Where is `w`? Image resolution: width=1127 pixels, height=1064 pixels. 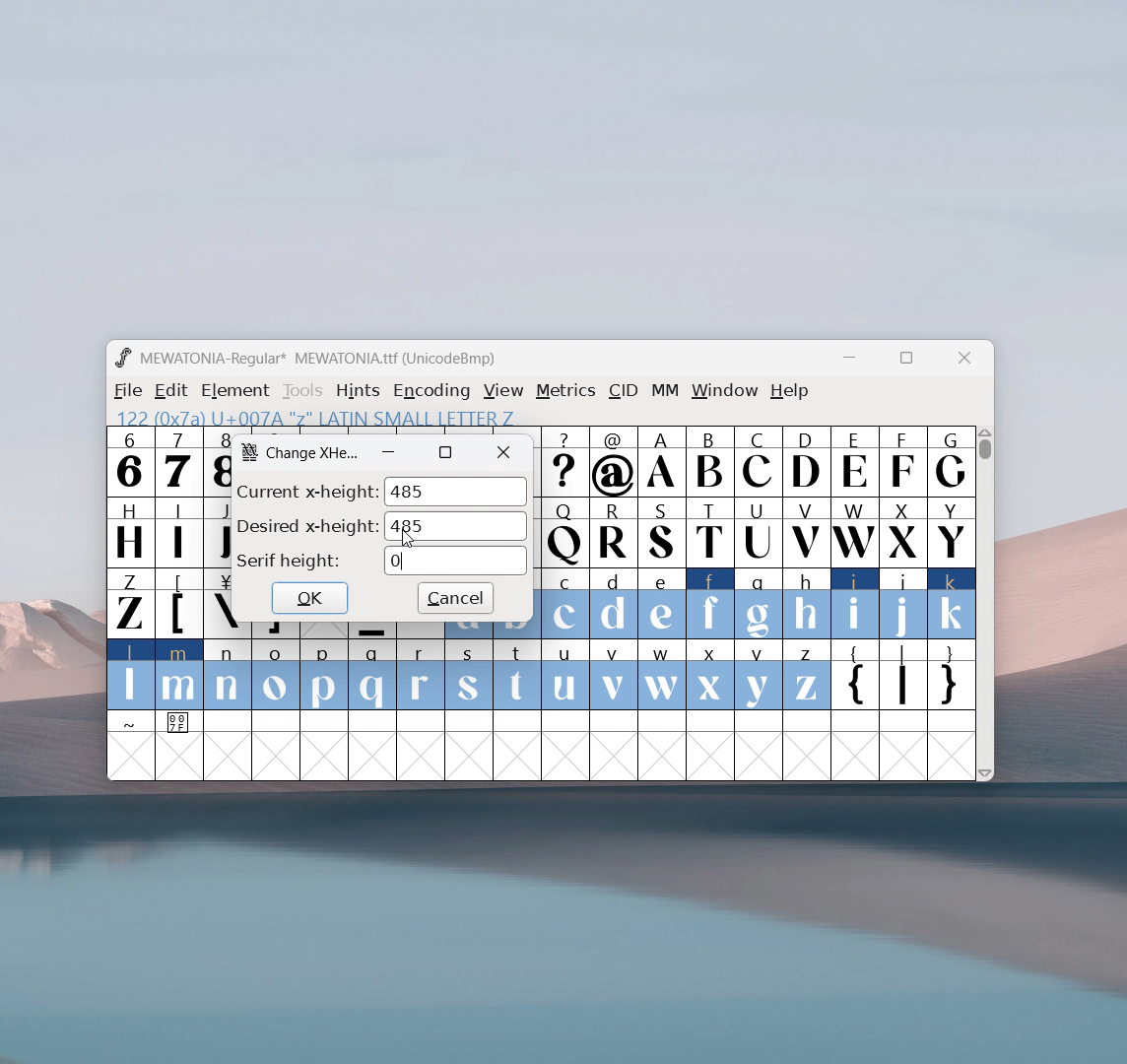 w is located at coordinates (662, 675).